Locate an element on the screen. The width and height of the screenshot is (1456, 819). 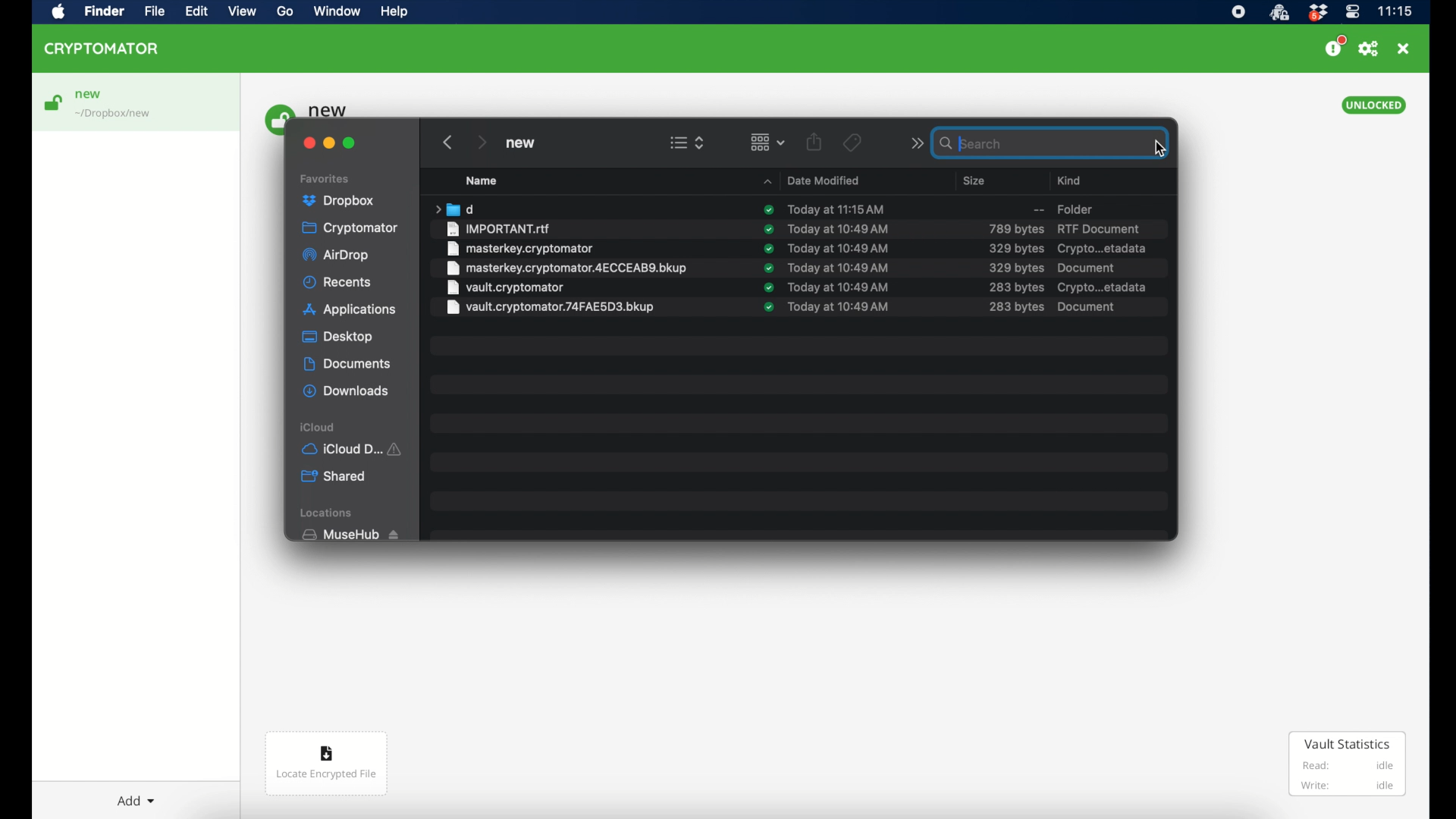
finder is located at coordinates (104, 11).